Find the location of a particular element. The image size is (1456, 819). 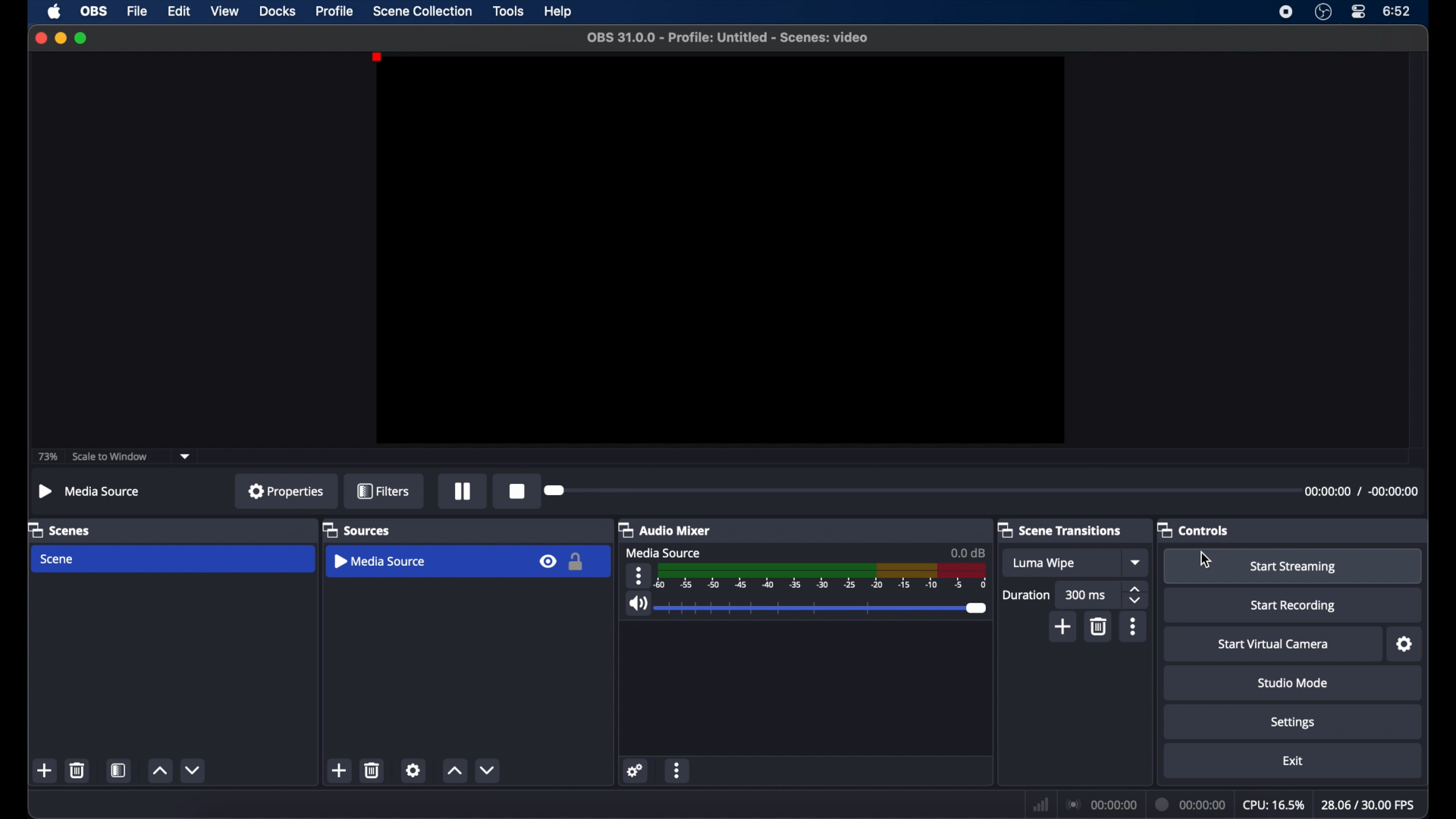

control center is located at coordinates (1359, 11).